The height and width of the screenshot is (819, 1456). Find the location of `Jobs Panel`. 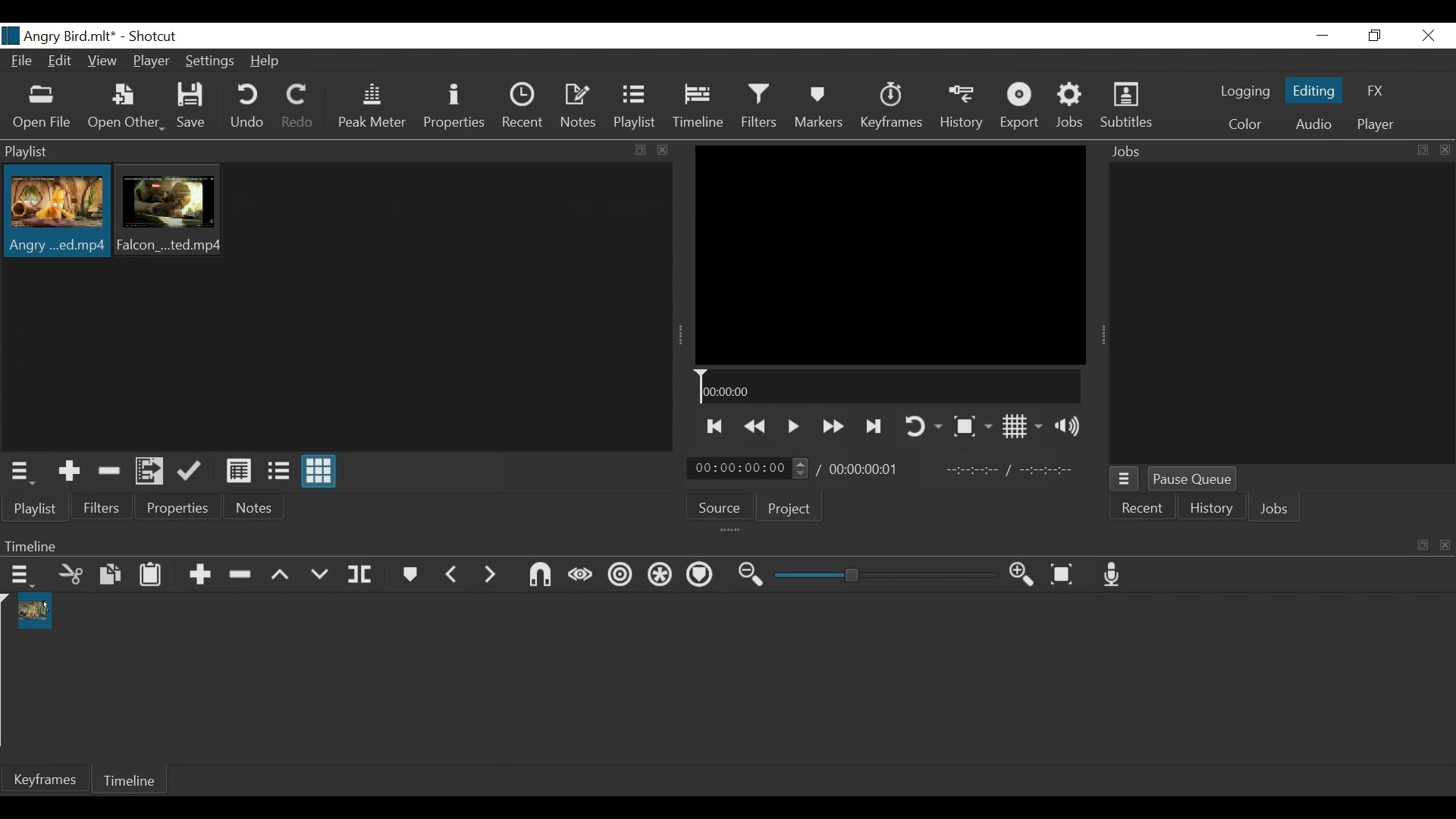

Jobs Panel is located at coordinates (1280, 315).